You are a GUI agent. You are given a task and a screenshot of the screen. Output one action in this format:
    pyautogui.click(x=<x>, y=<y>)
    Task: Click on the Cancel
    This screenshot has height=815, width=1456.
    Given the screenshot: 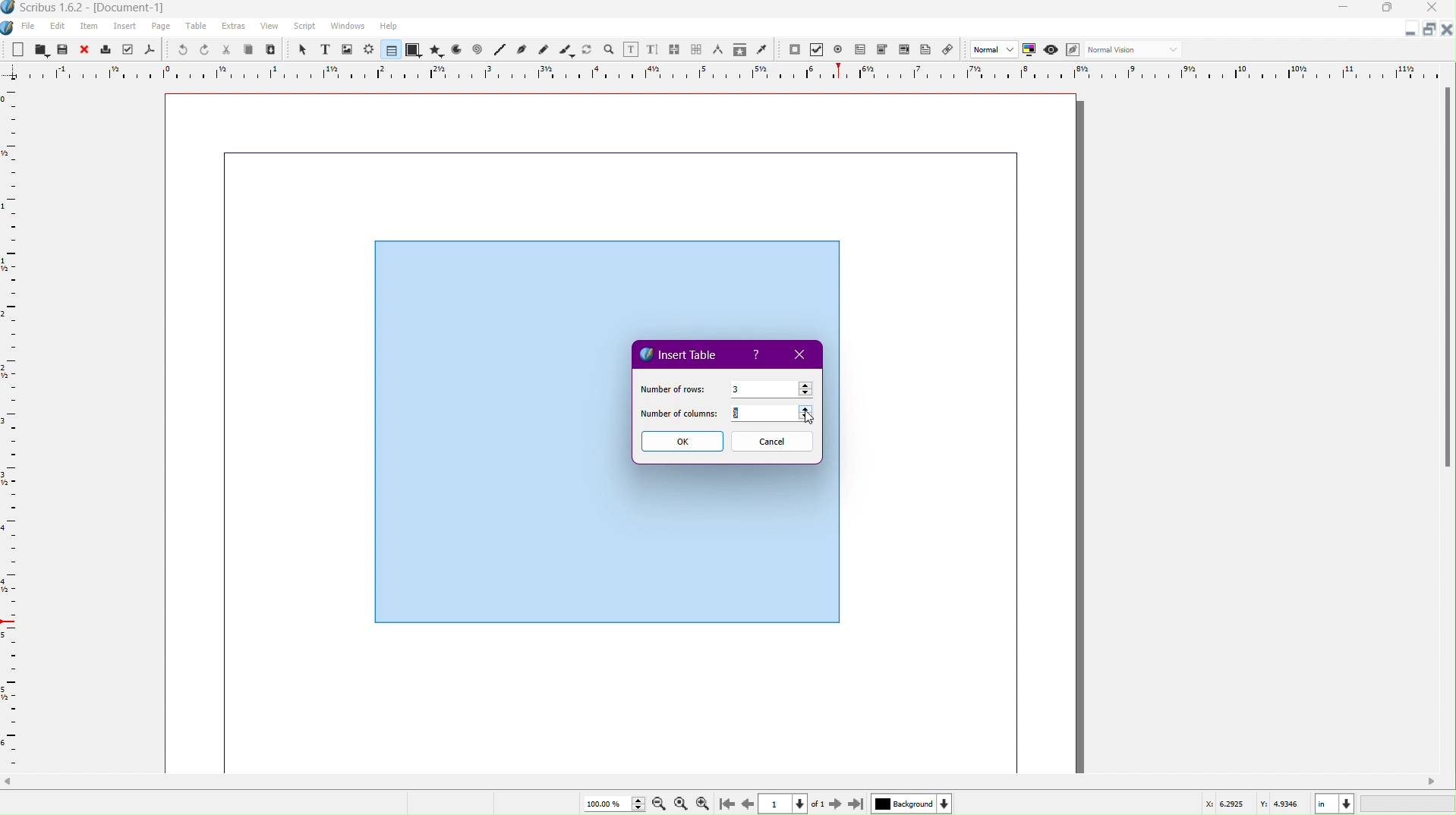 What is the action you would take?
    pyautogui.click(x=773, y=442)
    